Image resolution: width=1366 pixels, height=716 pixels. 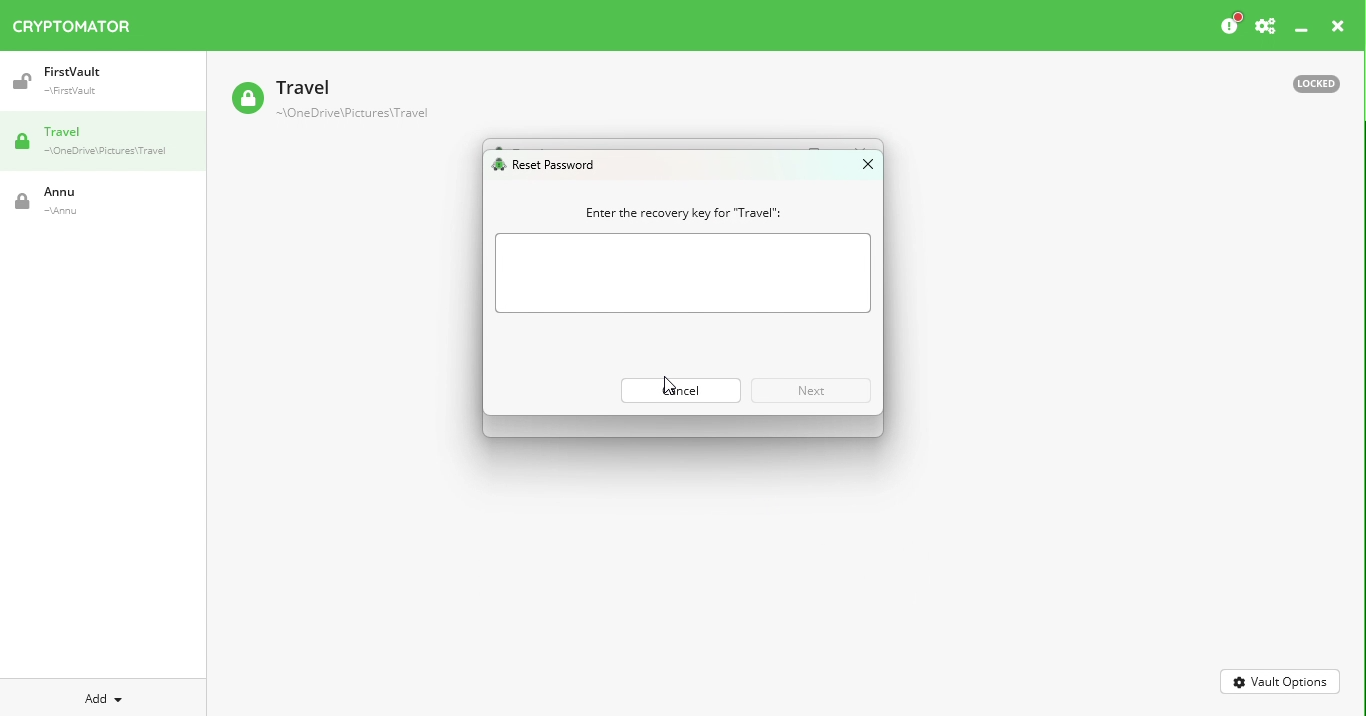 What do you see at coordinates (1281, 680) in the screenshot?
I see `Vault options` at bounding box center [1281, 680].